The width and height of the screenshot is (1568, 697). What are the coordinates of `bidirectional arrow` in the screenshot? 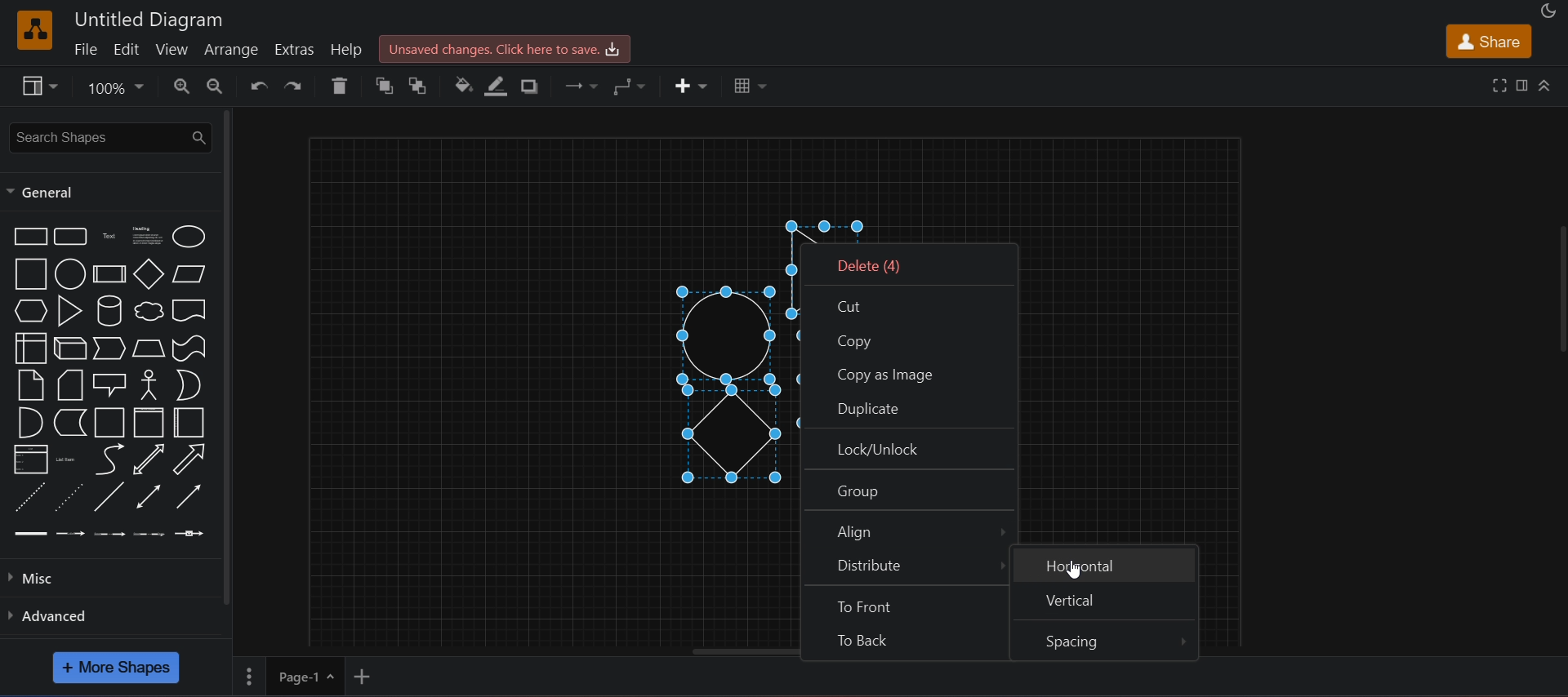 It's located at (150, 459).